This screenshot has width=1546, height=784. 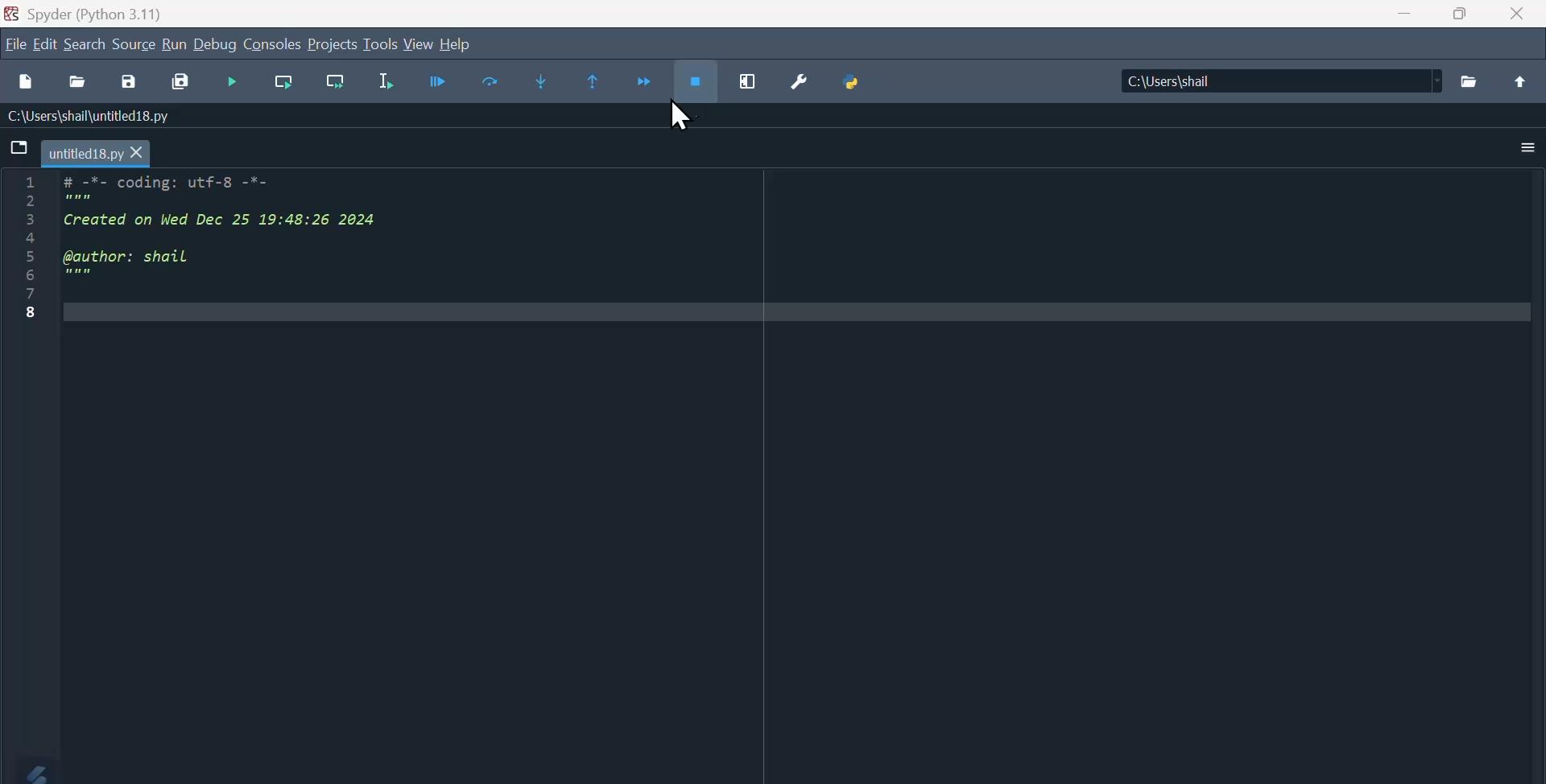 What do you see at coordinates (436, 83) in the screenshot?
I see `Debug file` at bounding box center [436, 83].